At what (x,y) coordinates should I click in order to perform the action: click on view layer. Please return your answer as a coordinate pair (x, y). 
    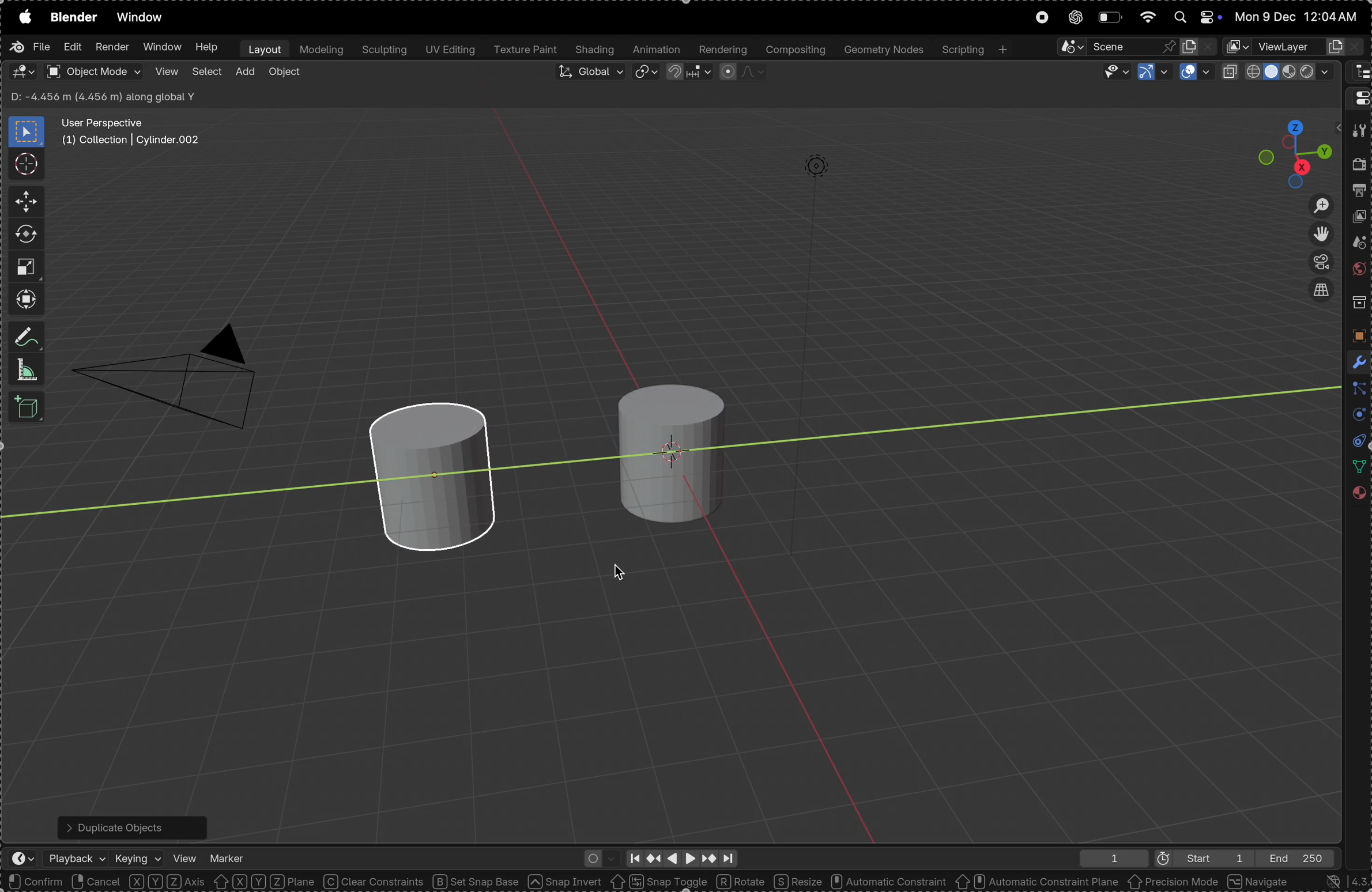
    Looking at the image, I should click on (1360, 219).